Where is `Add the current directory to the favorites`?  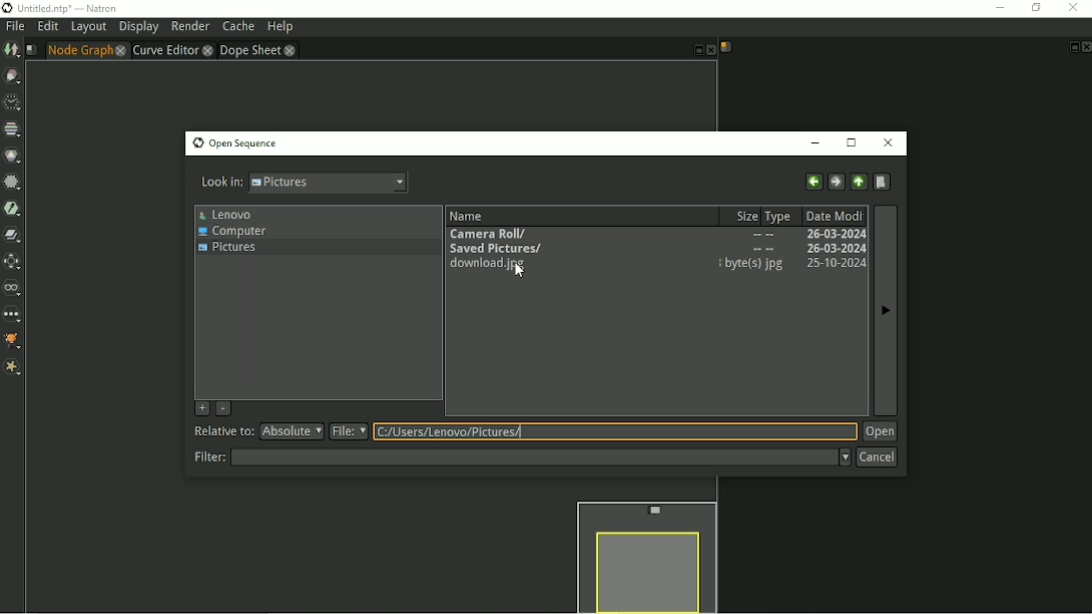
Add the current directory to the favorites is located at coordinates (200, 407).